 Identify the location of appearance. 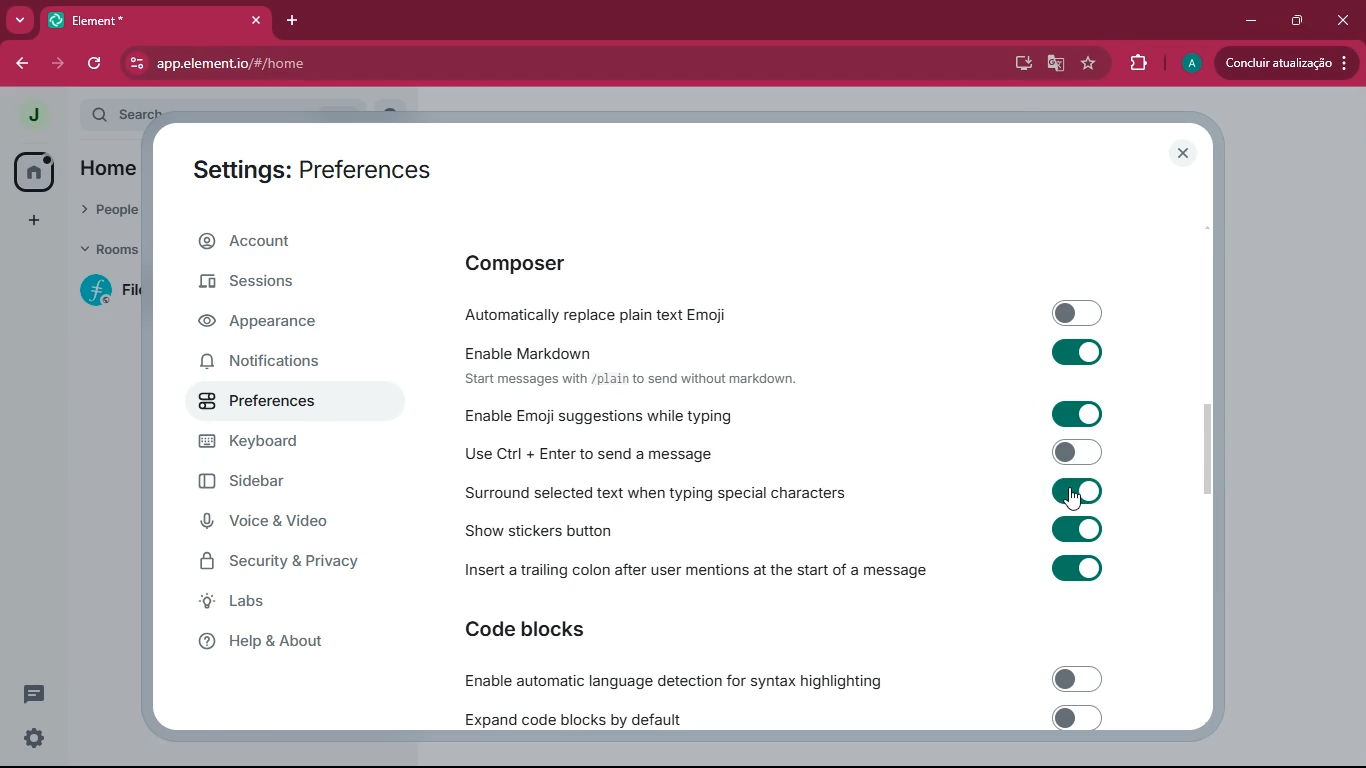
(268, 325).